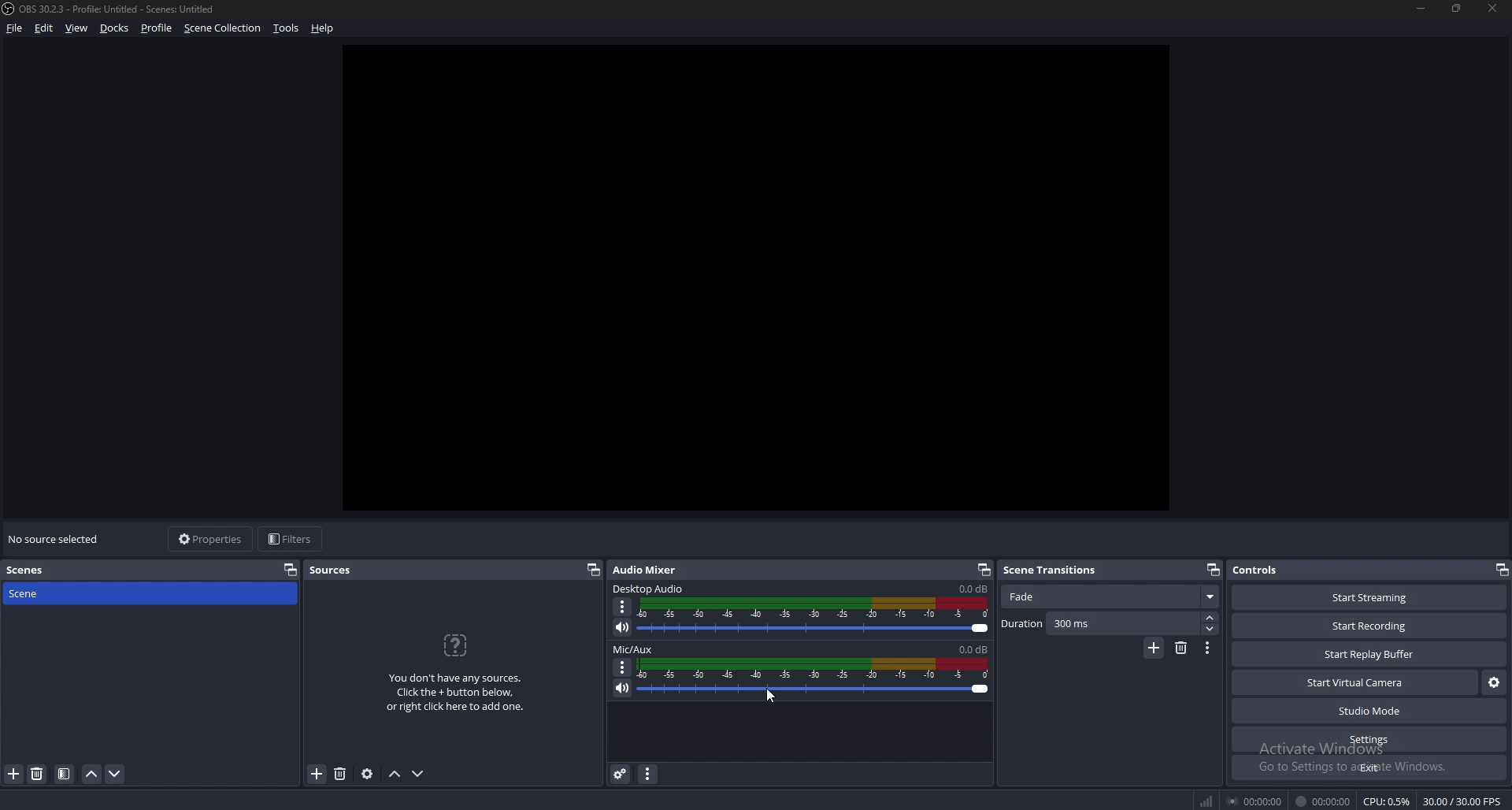 The width and height of the screenshot is (1512, 810). Describe the element at coordinates (317, 774) in the screenshot. I see `add source` at that location.